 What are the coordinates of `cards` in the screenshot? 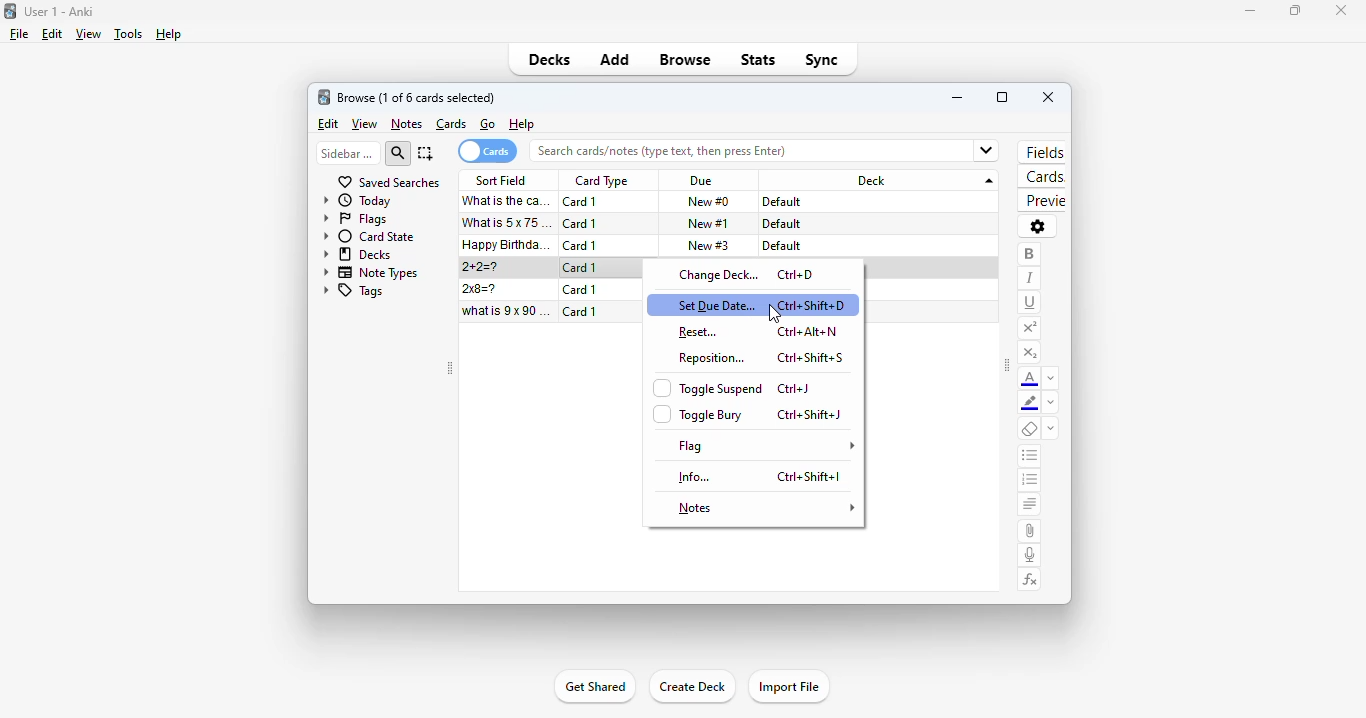 It's located at (452, 124).